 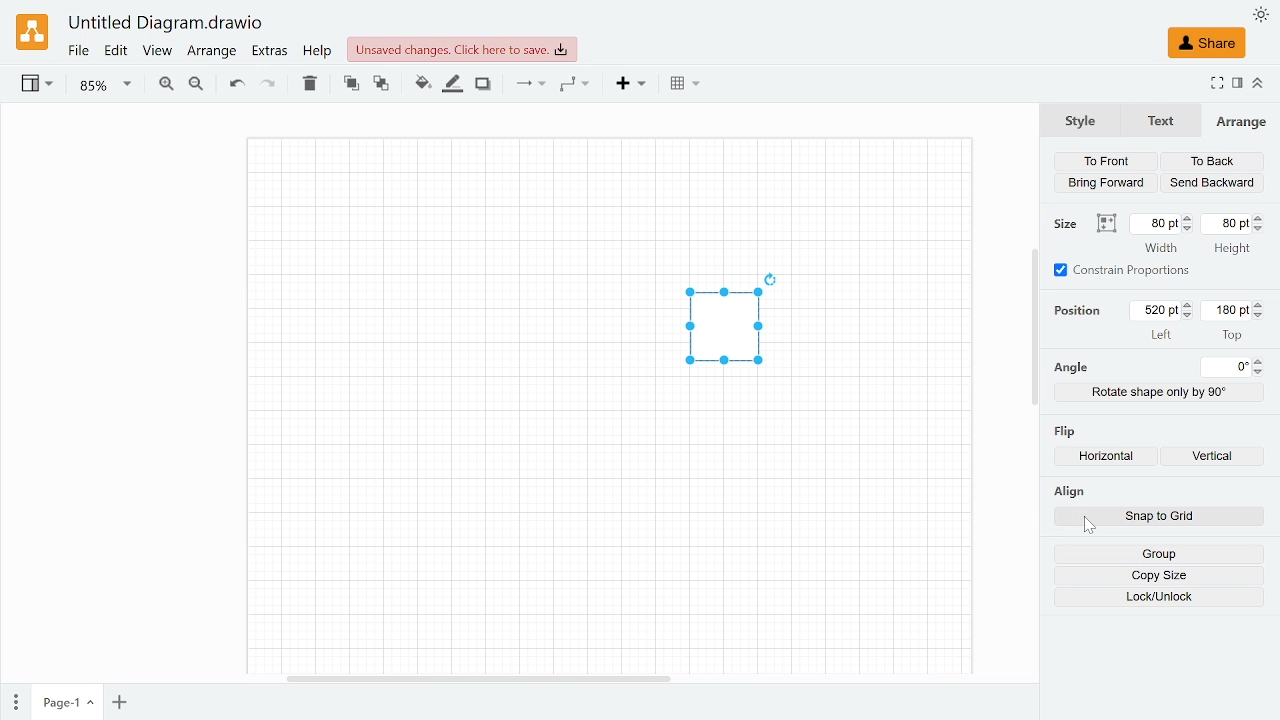 I want to click on Connections, so click(x=528, y=84).